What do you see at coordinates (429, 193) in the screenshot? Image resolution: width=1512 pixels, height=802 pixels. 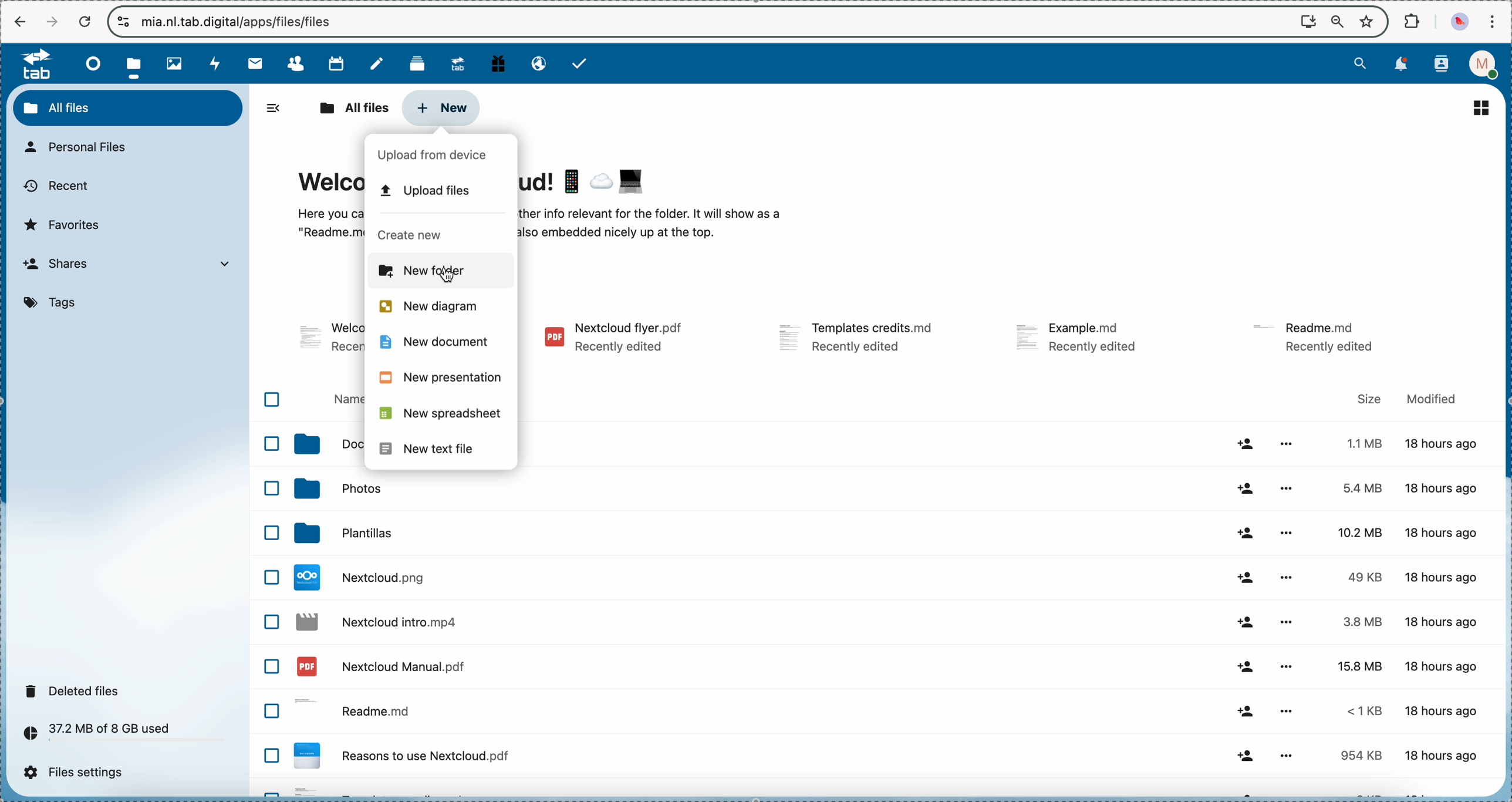 I see `upload files` at bounding box center [429, 193].